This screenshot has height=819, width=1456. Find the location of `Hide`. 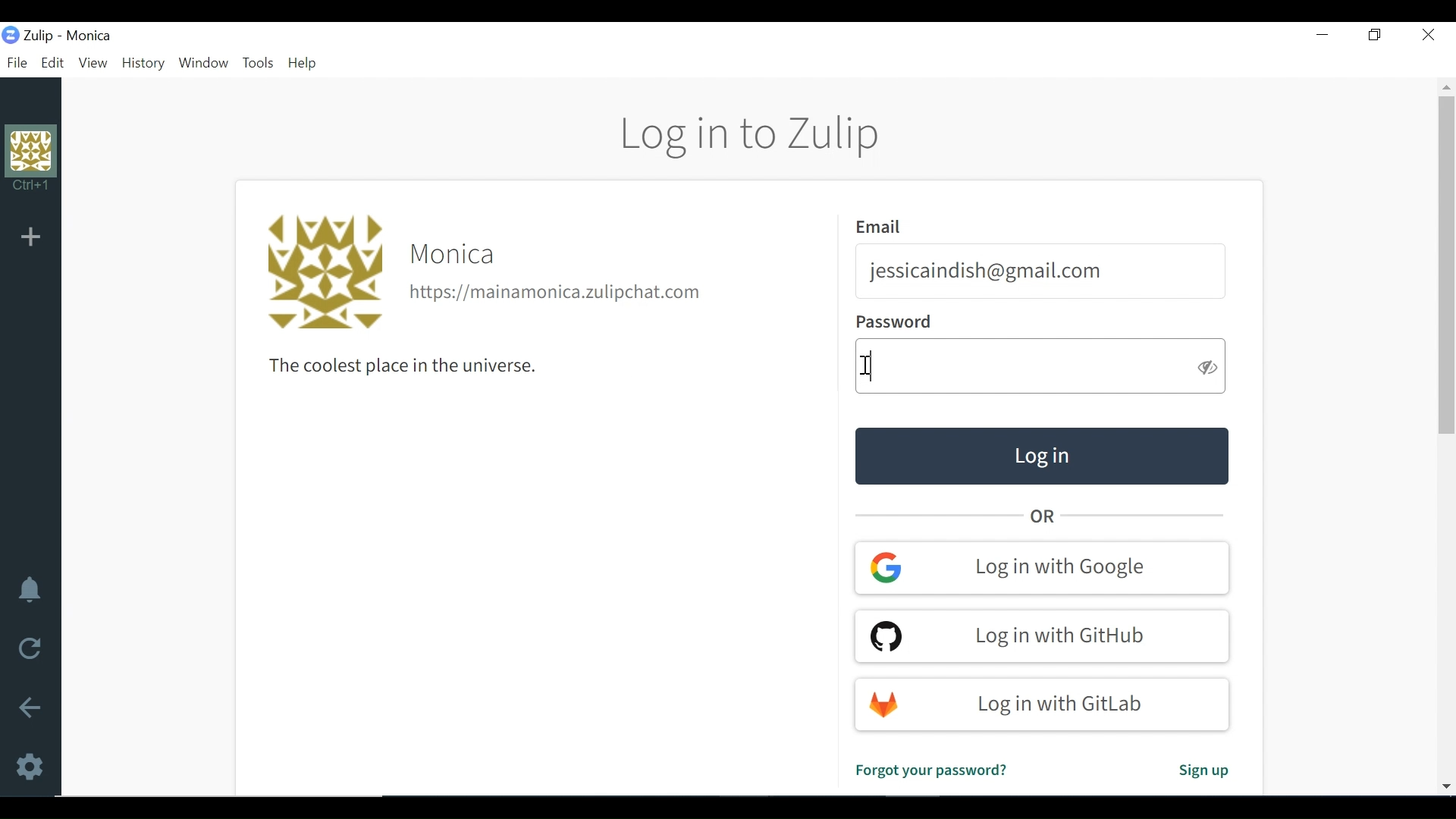

Hide is located at coordinates (1208, 366).